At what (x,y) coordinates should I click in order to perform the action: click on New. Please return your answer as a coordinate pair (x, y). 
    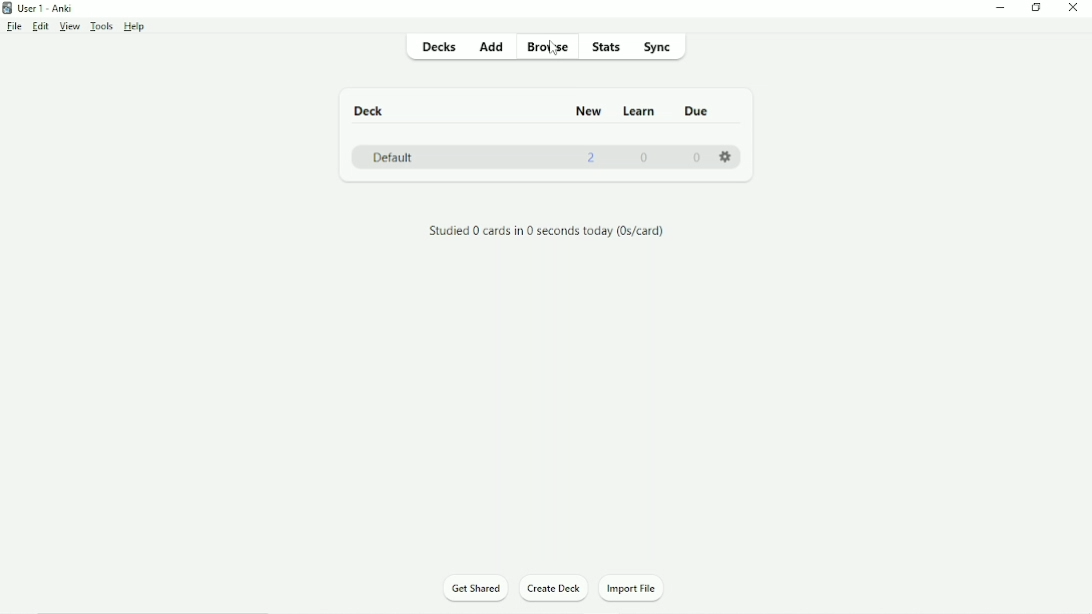
    Looking at the image, I should click on (587, 111).